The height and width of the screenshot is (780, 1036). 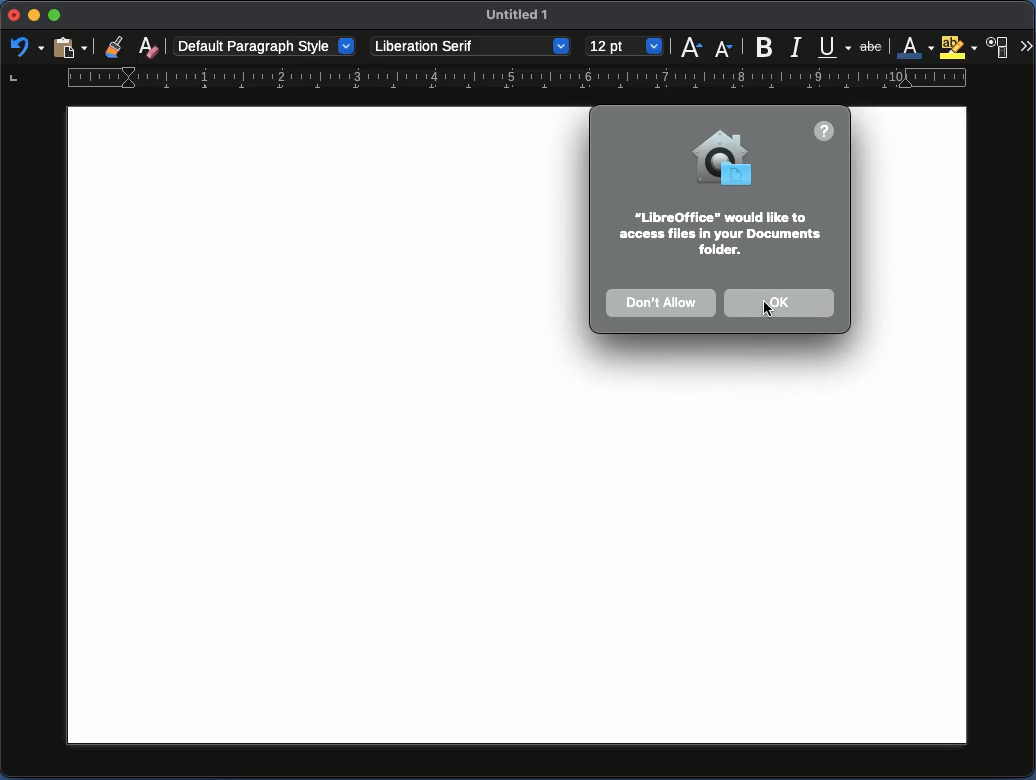 What do you see at coordinates (521, 18) in the screenshot?
I see `Name` at bounding box center [521, 18].